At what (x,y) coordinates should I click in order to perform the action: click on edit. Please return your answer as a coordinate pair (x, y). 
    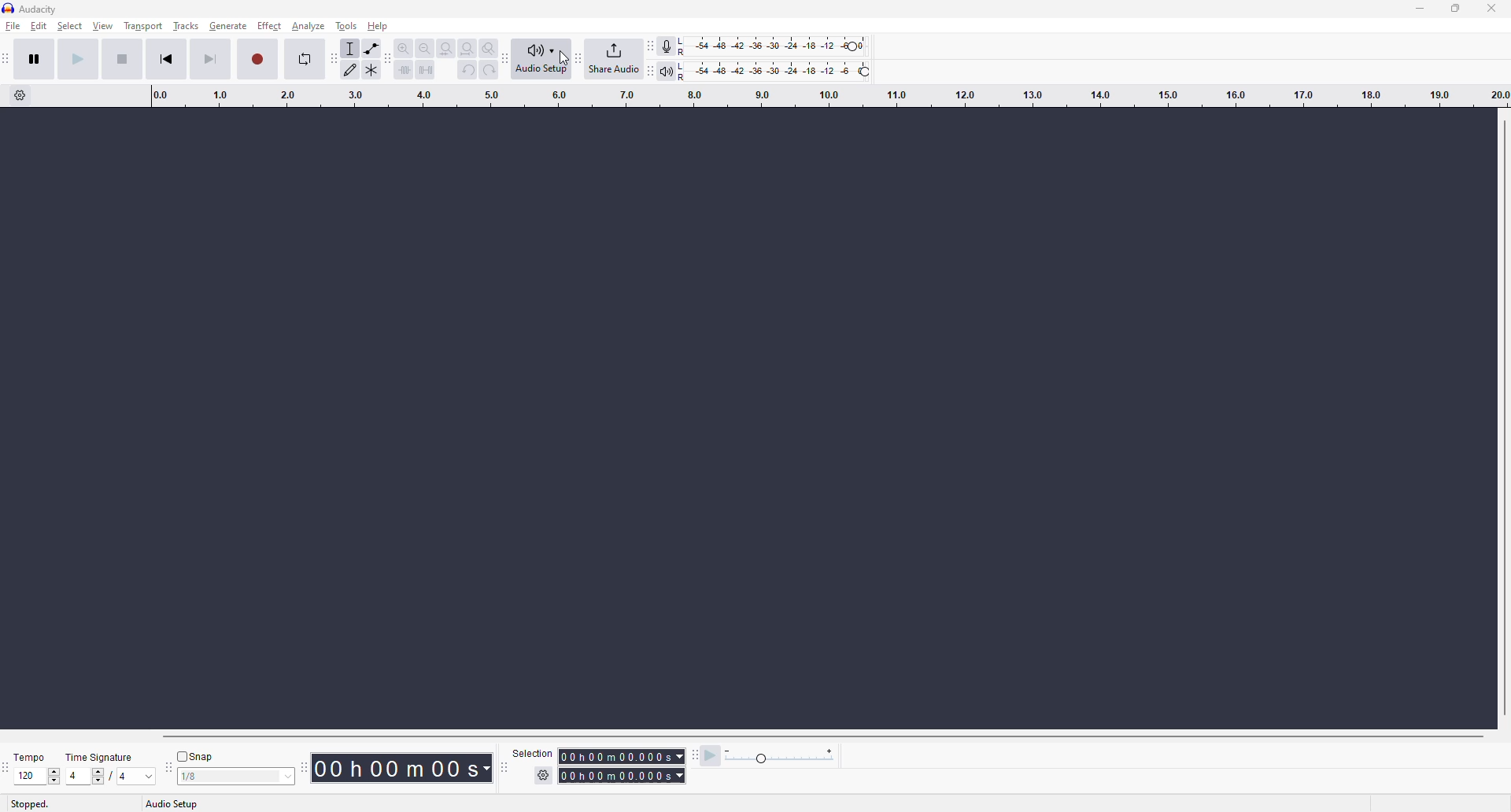
    Looking at the image, I should click on (36, 27).